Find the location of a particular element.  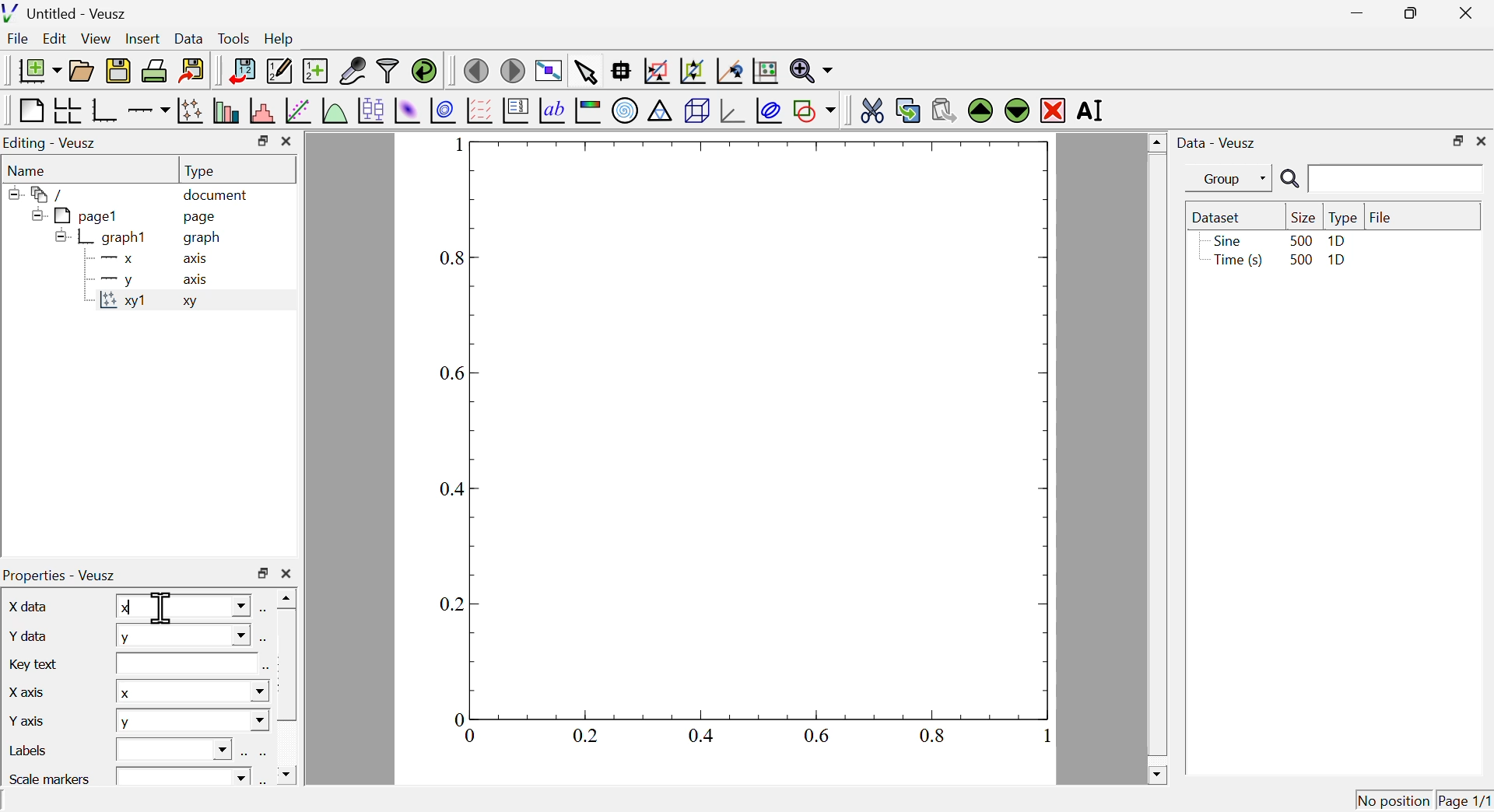

export to graphic formats is located at coordinates (192, 72).